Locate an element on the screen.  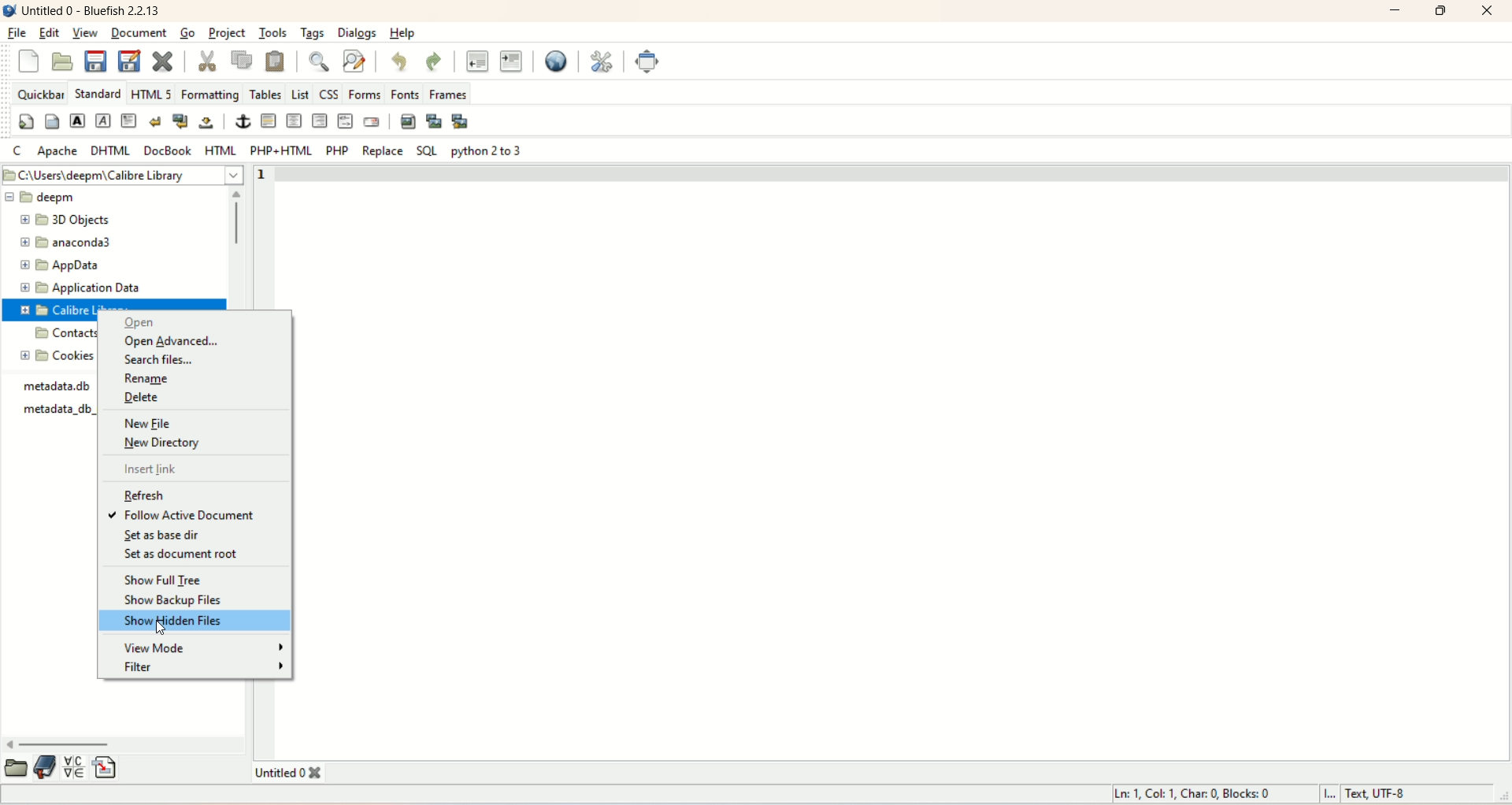
minimize is located at coordinates (1396, 13).